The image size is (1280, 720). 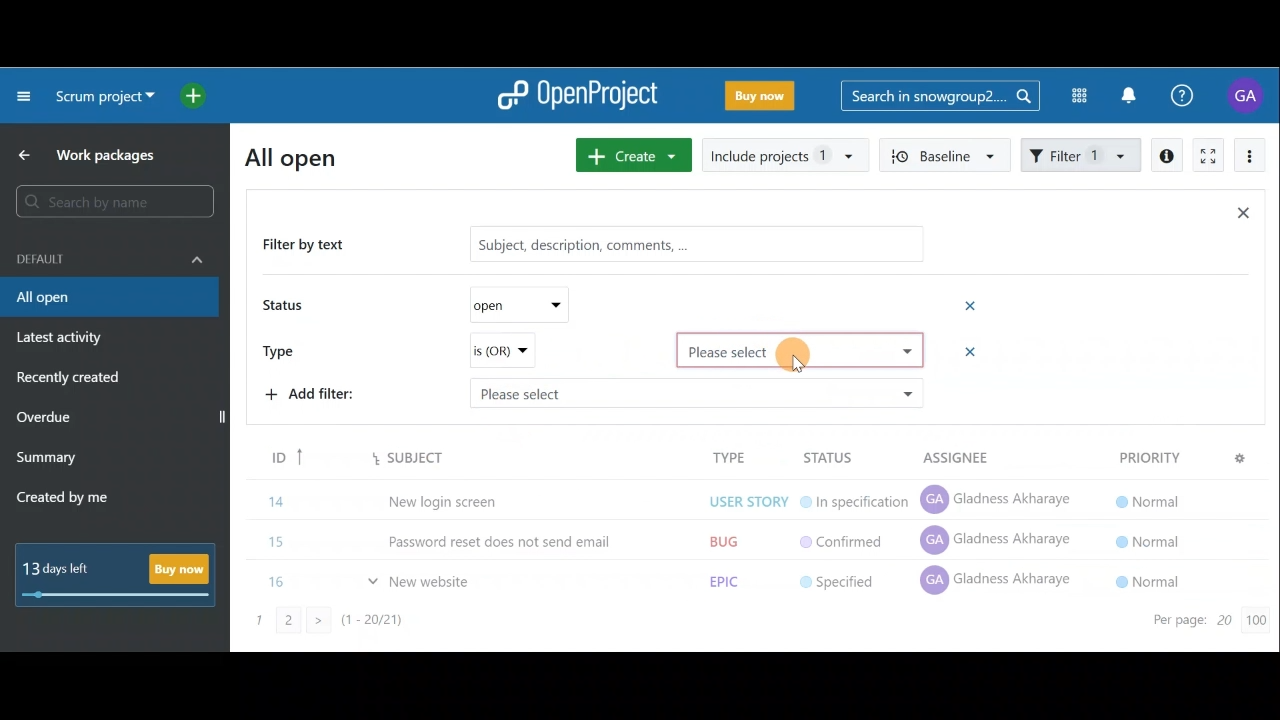 What do you see at coordinates (501, 351) in the screenshot?
I see `Is (OR)` at bounding box center [501, 351].